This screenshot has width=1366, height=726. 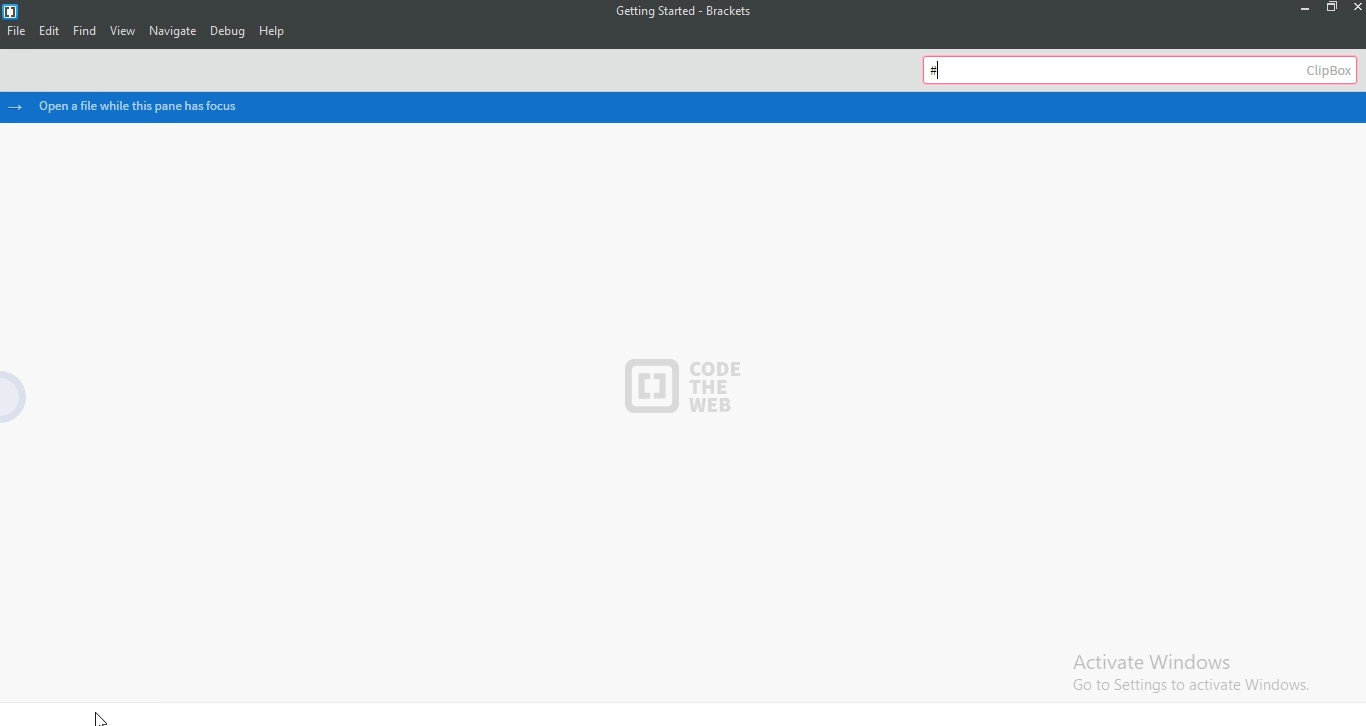 I want to click on Logo, so click(x=16, y=11).